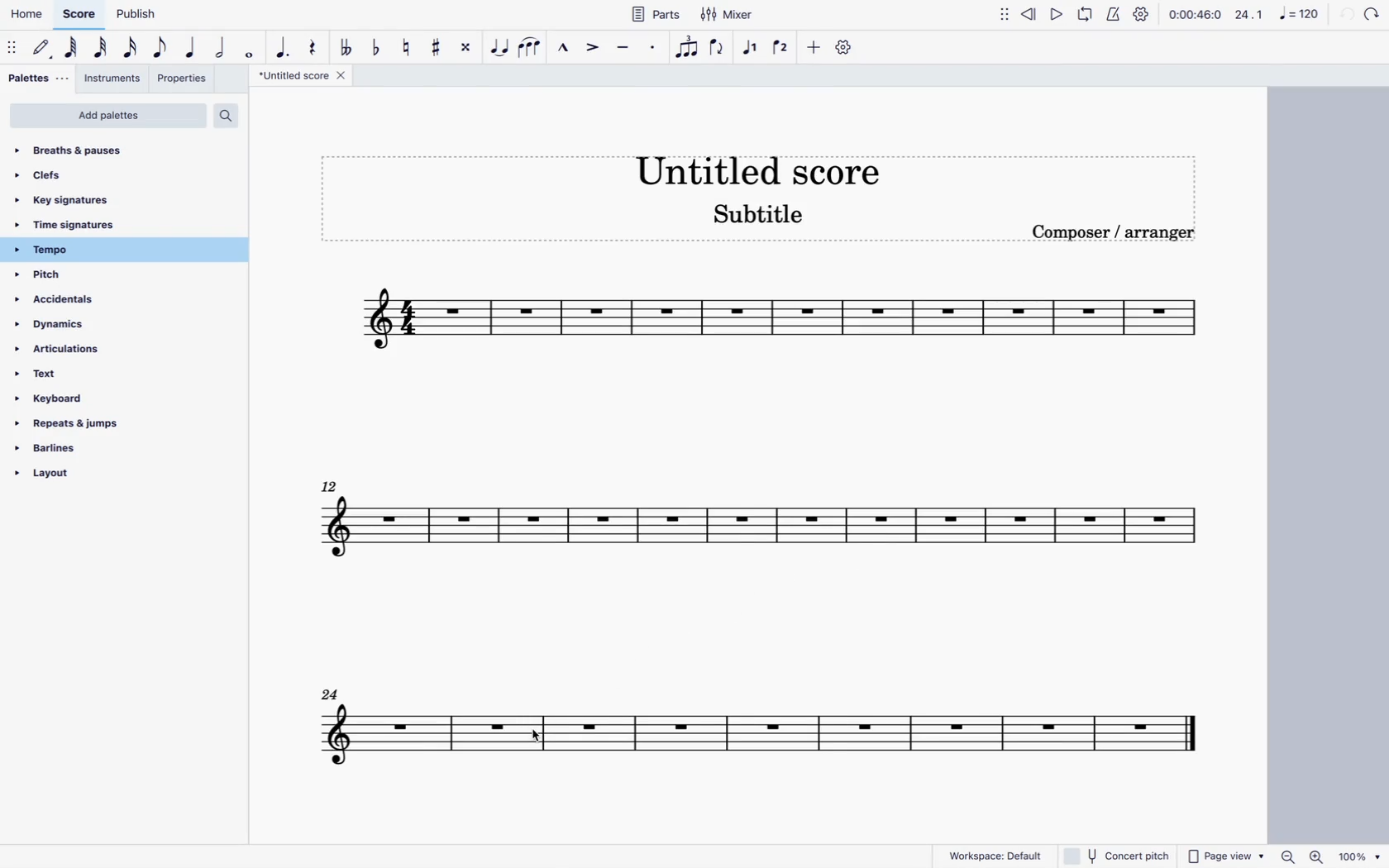 The image size is (1389, 868). I want to click on tie, so click(499, 46).